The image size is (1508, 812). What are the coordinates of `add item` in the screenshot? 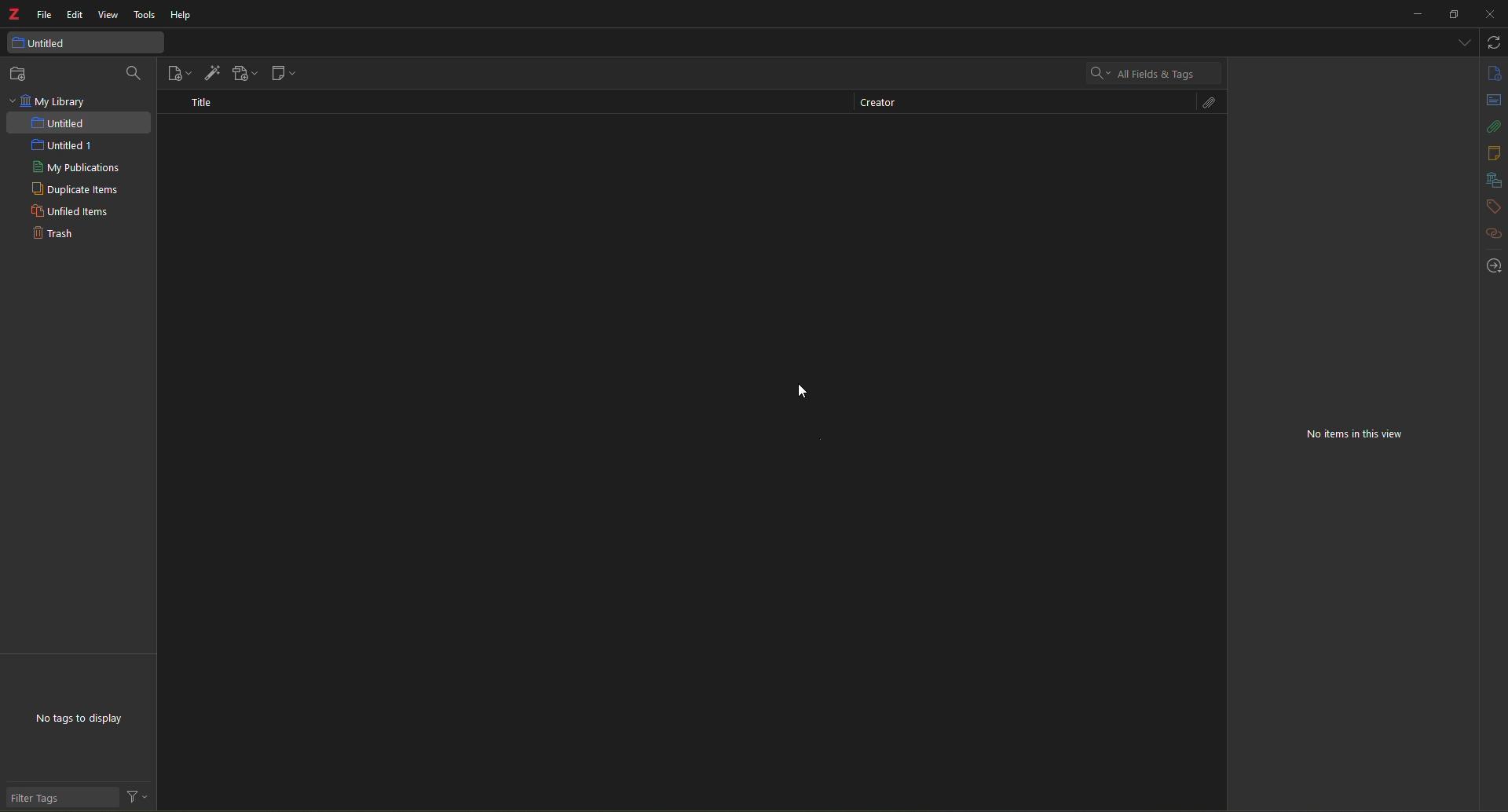 It's located at (212, 72).